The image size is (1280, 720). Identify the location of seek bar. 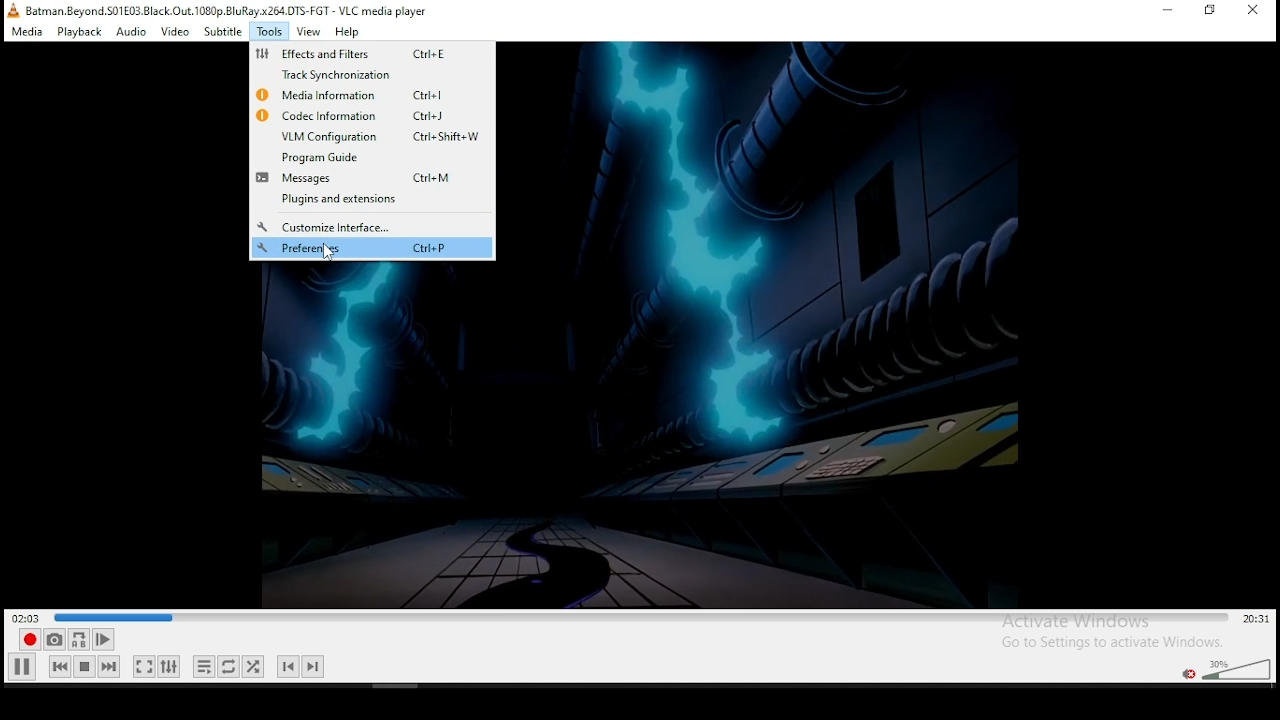
(643, 618).